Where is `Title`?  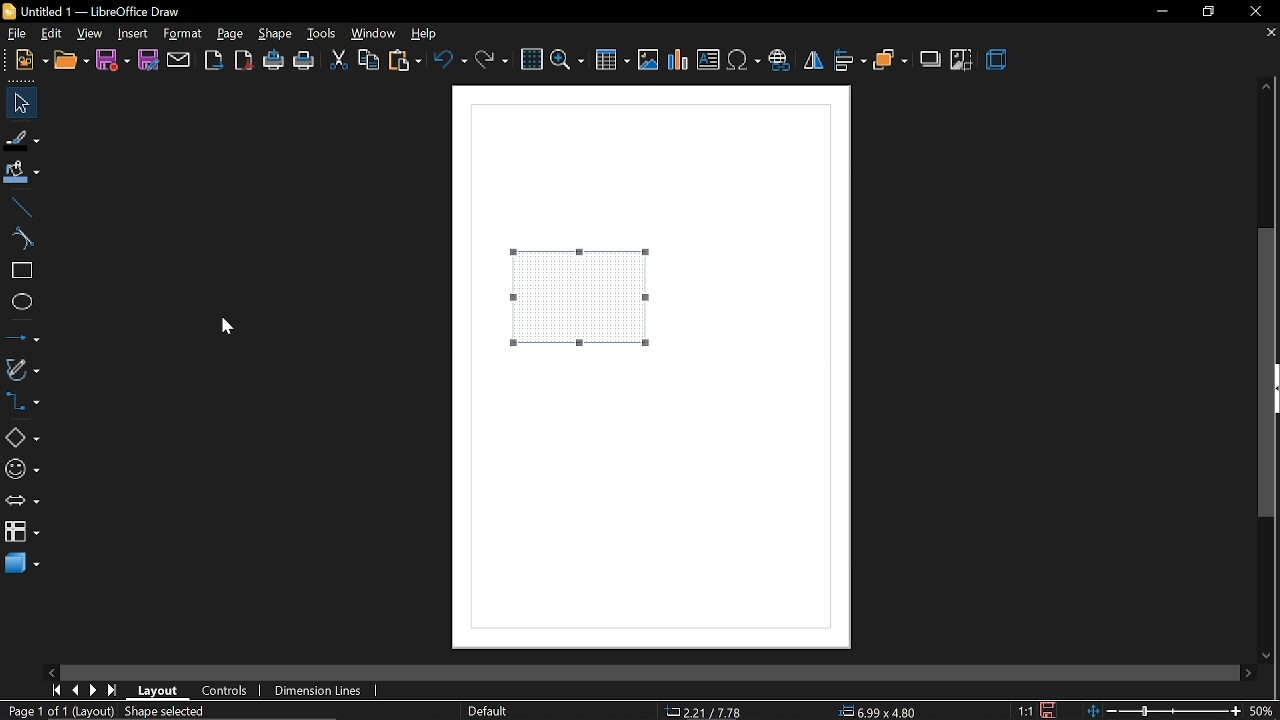 Title is located at coordinates (100, 10).